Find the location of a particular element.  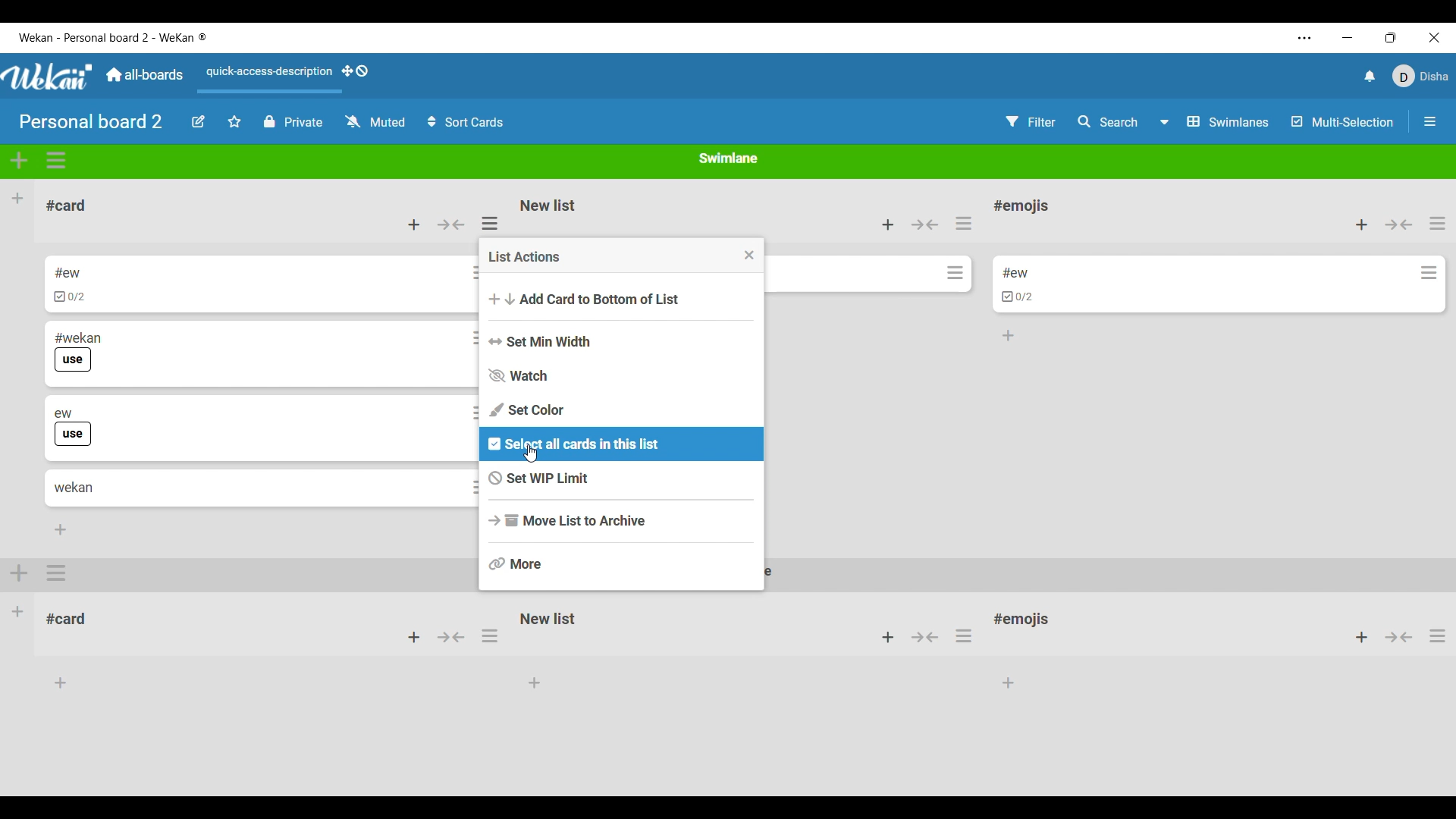

Name of current Swimlane is located at coordinates (730, 157).